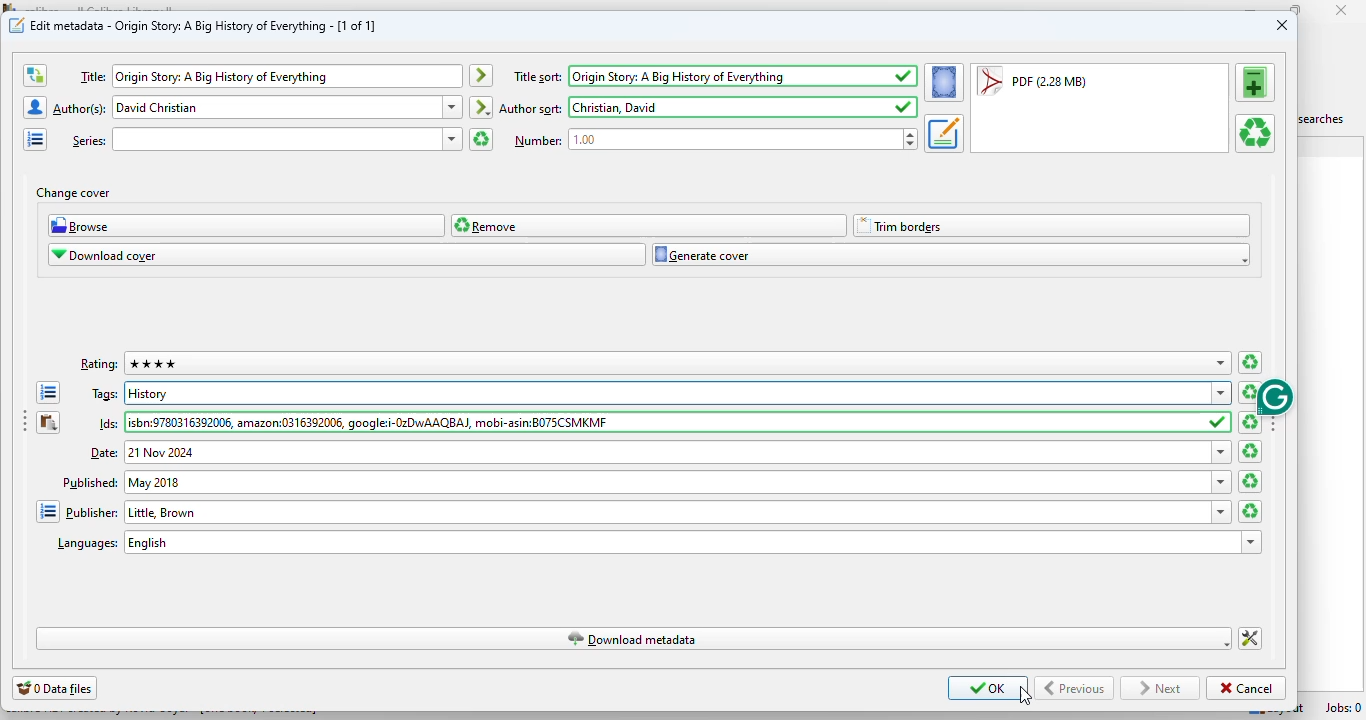 The height and width of the screenshot is (720, 1366). Describe the element at coordinates (1250, 392) in the screenshot. I see `clear all tags` at that location.